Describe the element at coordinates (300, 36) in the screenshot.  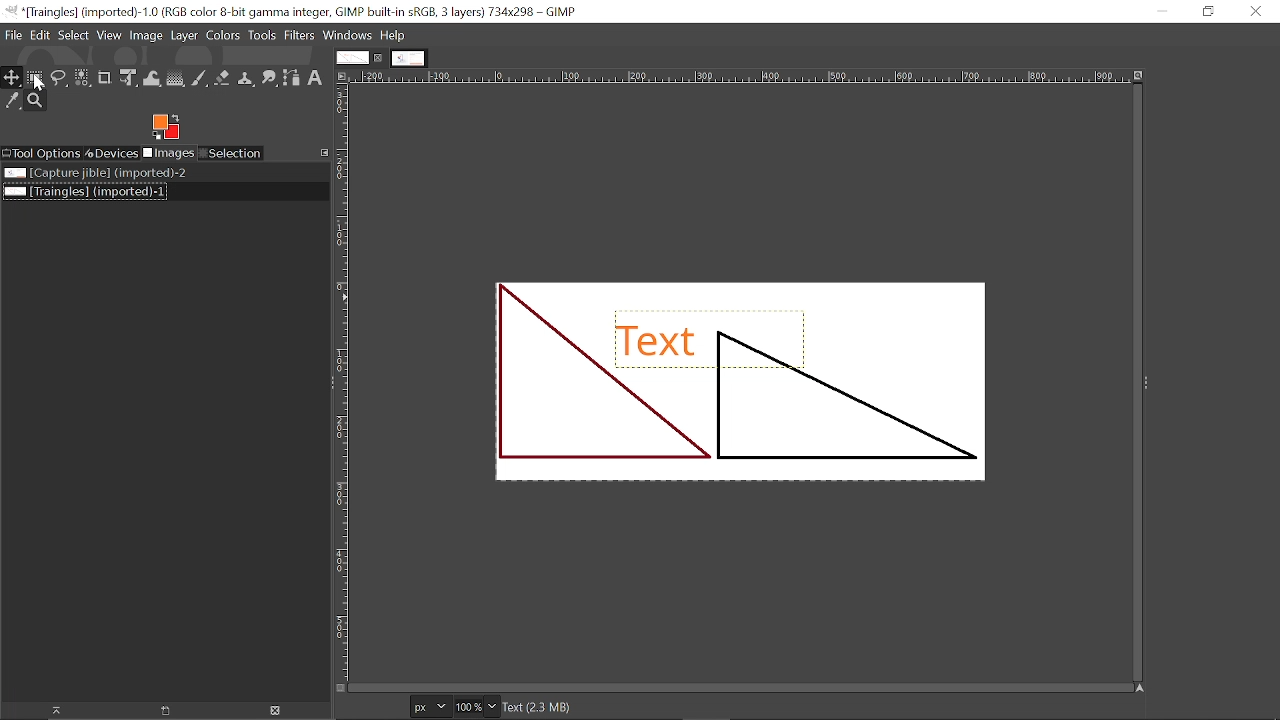
I see `Filters` at that location.